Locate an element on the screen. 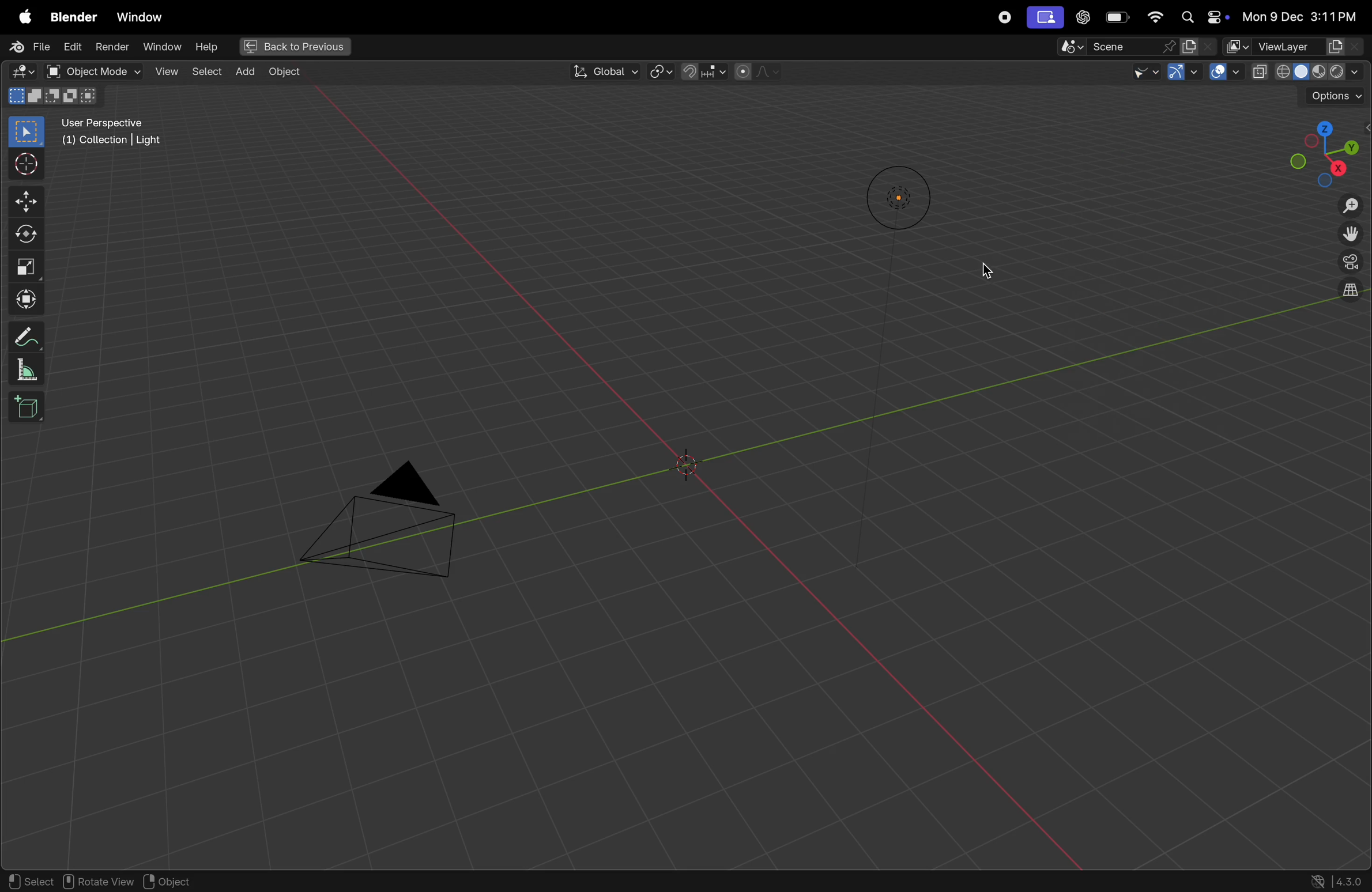 The width and height of the screenshot is (1372, 892). lights is located at coordinates (891, 198).